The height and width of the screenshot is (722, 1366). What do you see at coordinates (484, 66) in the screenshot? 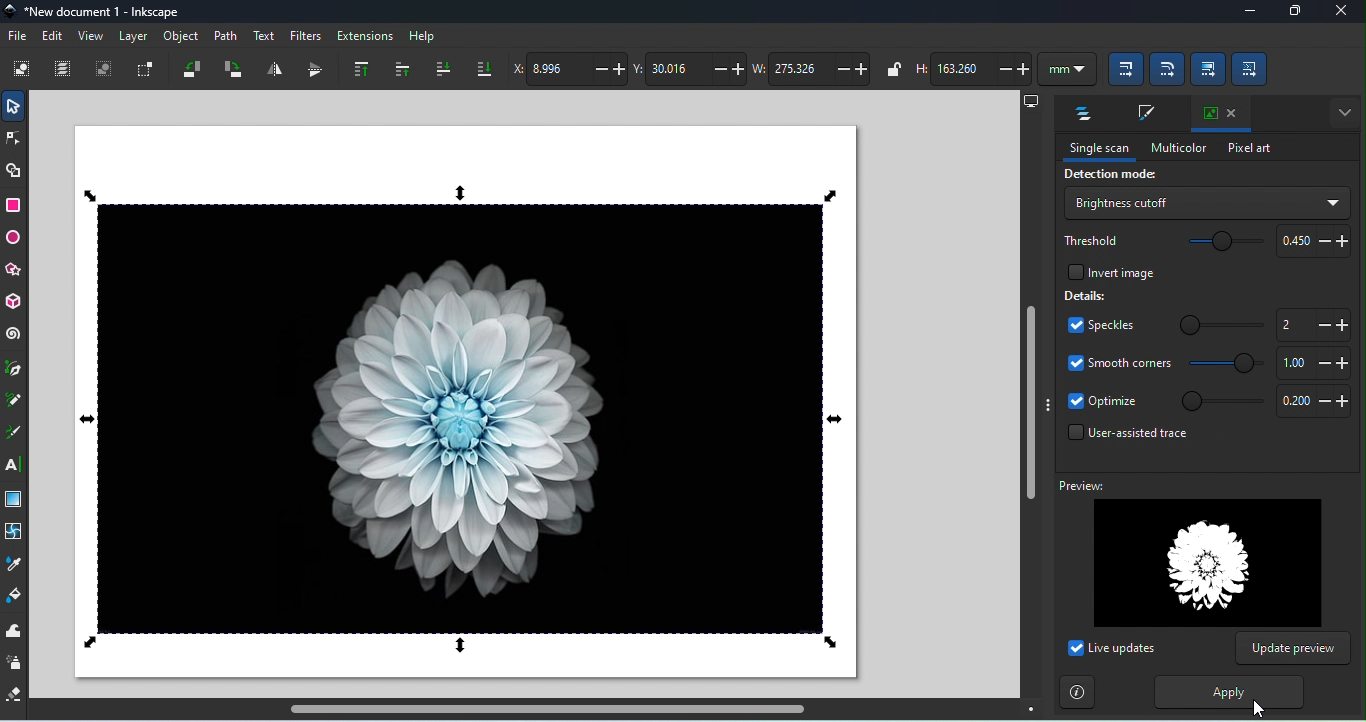
I see `Lower selection to bottom` at bounding box center [484, 66].